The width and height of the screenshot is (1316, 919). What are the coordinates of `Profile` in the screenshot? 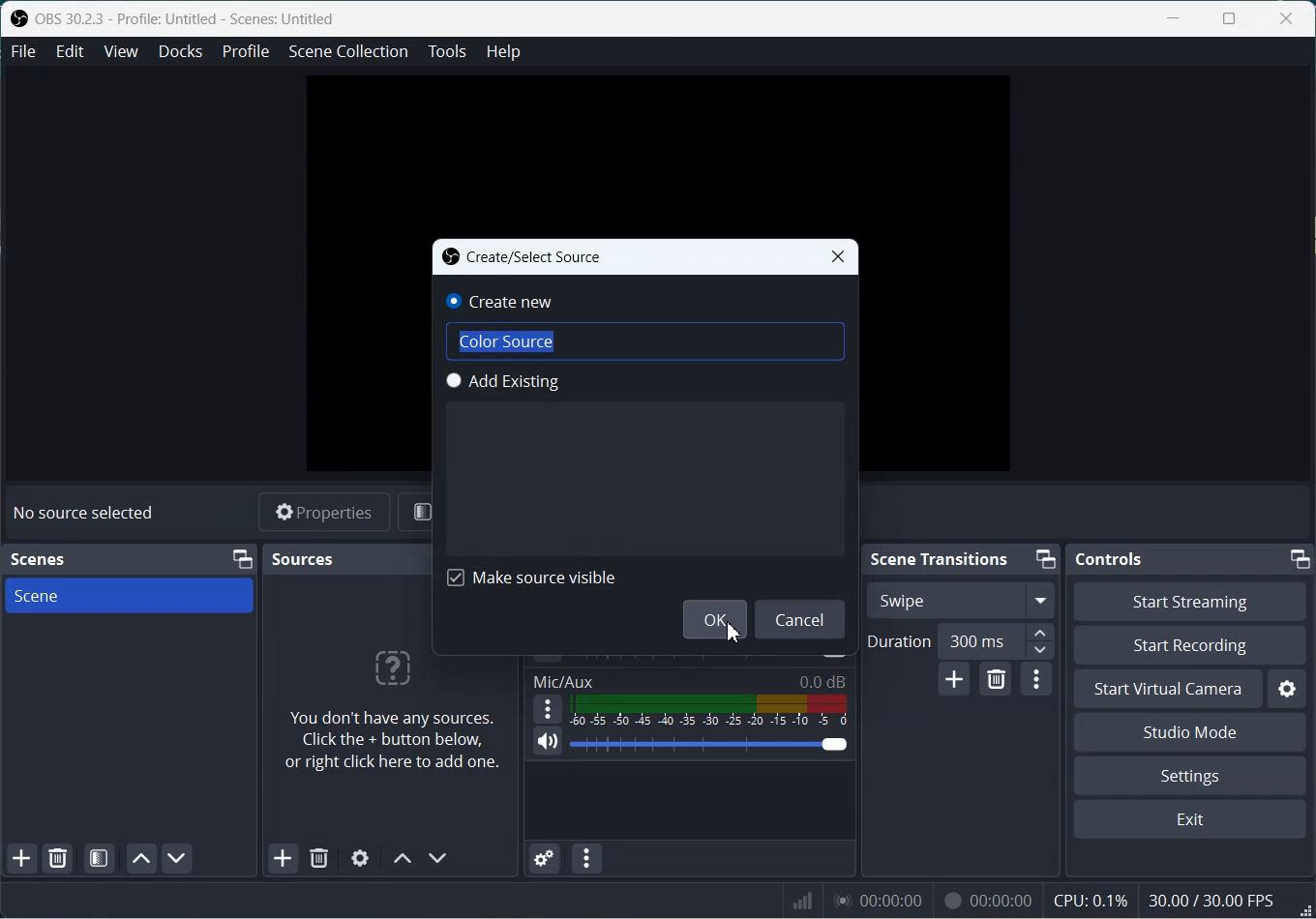 It's located at (245, 51).